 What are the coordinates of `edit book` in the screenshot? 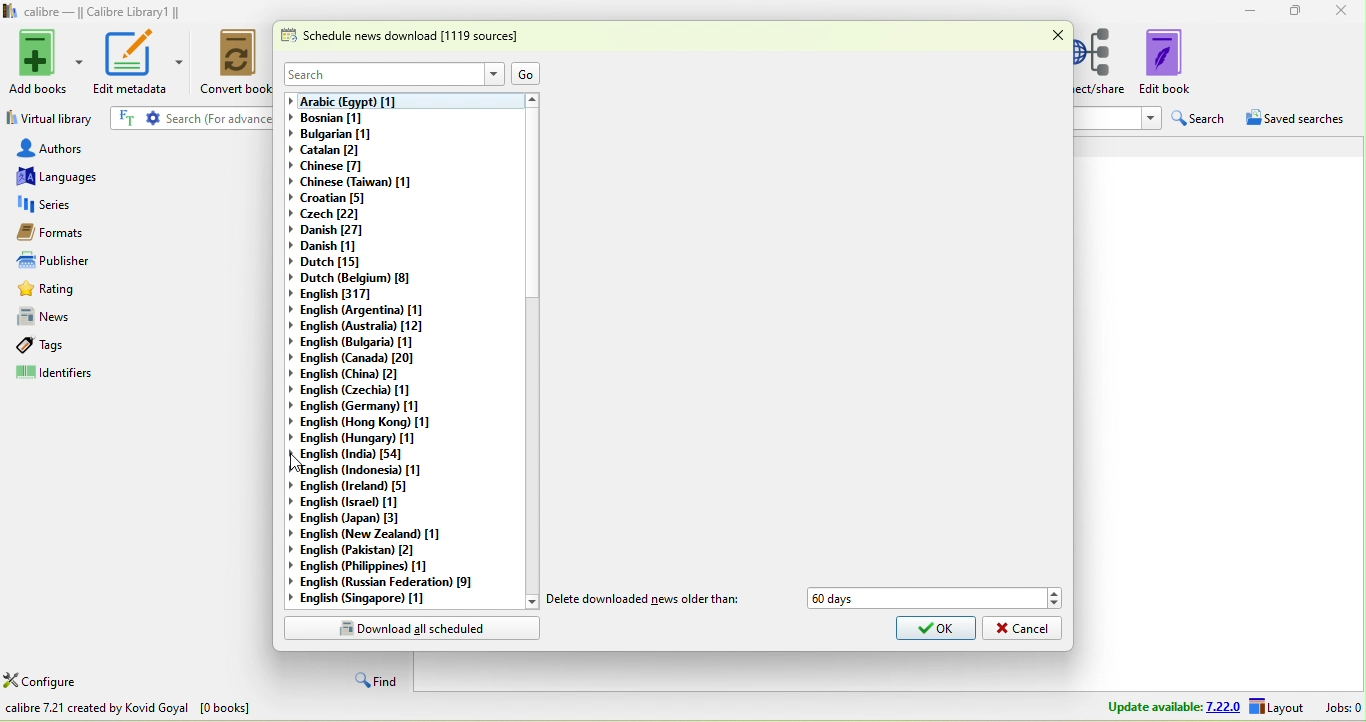 It's located at (1178, 63).